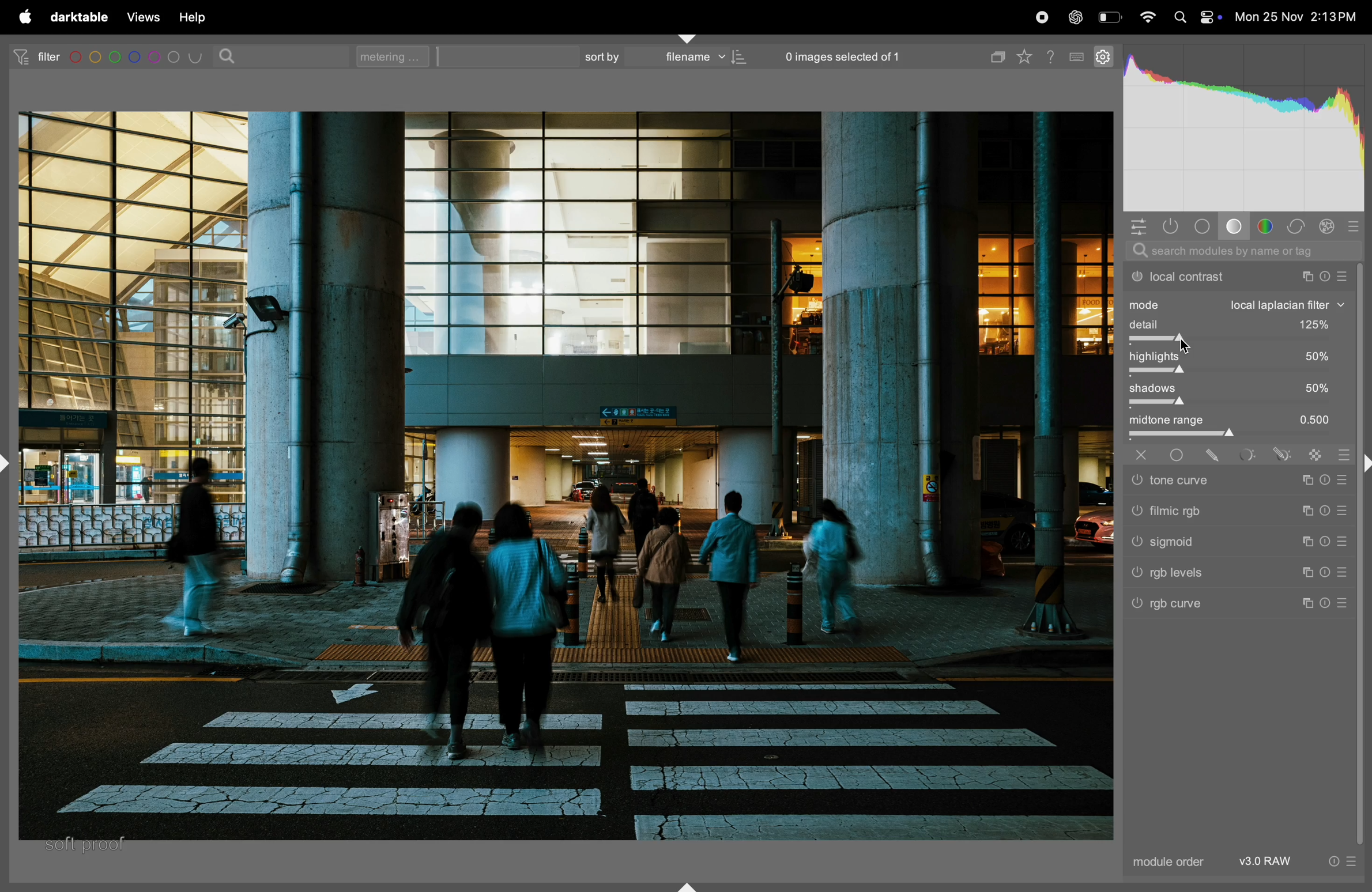 This screenshot has width=1372, height=892. I want to click on preset, so click(1343, 604).